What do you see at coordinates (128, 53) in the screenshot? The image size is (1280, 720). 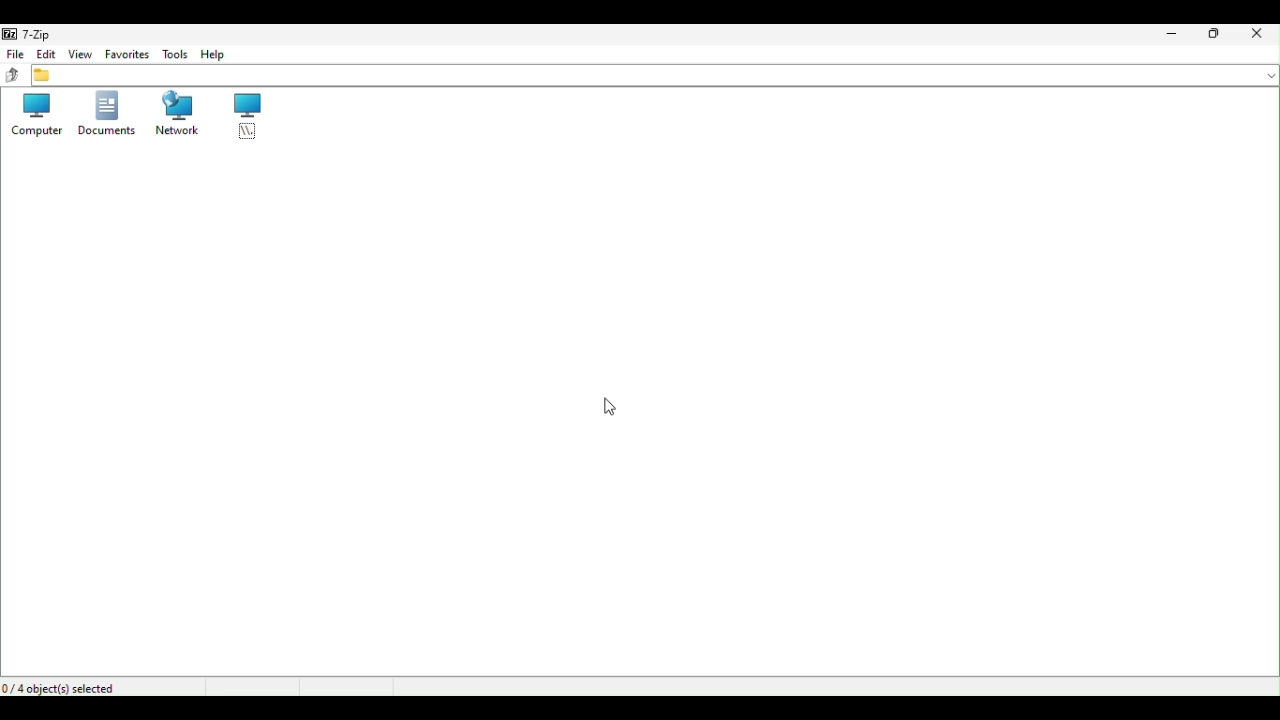 I see `Favourites` at bounding box center [128, 53].